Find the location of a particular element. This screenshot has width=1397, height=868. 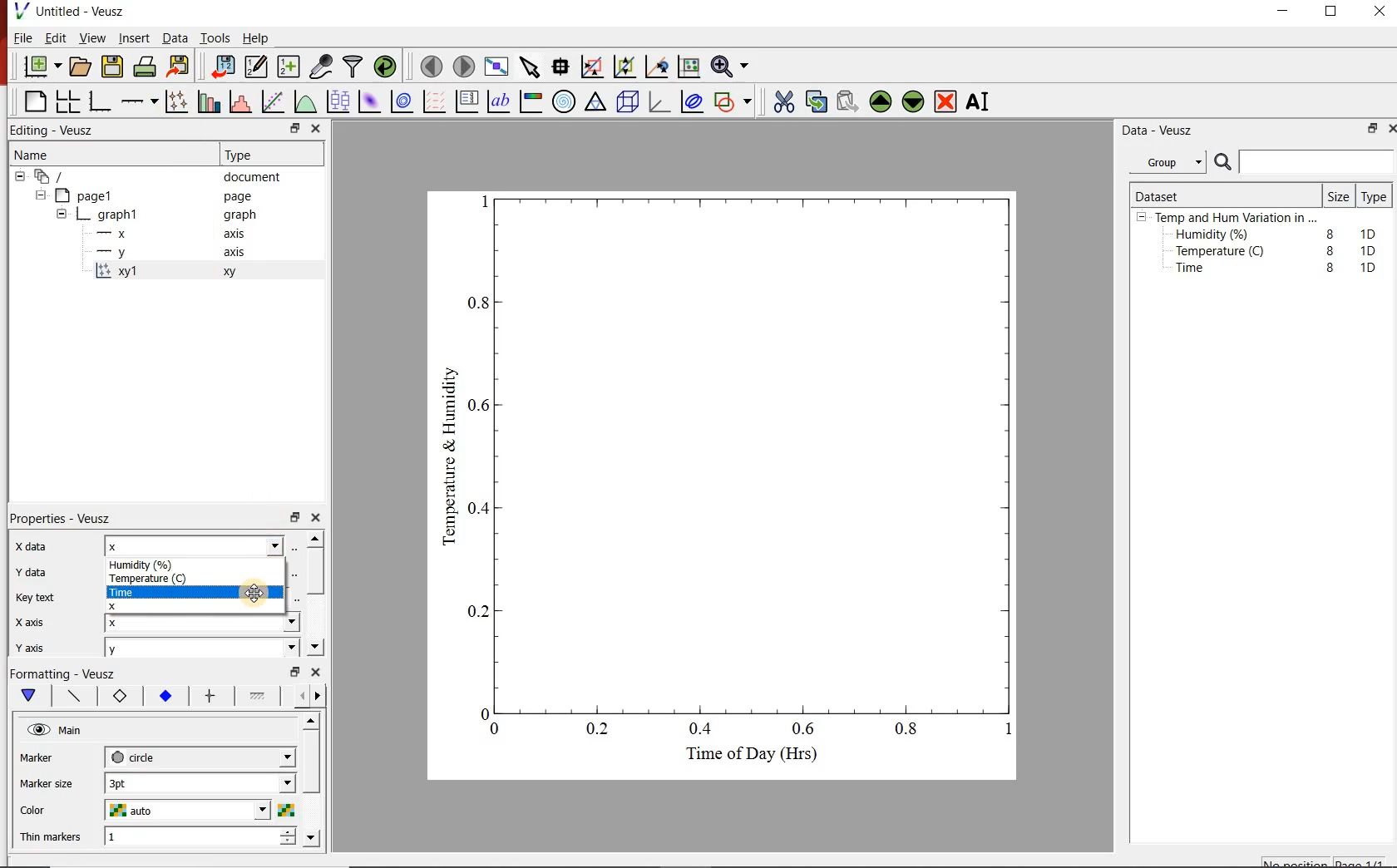

maximize is located at coordinates (1340, 12).